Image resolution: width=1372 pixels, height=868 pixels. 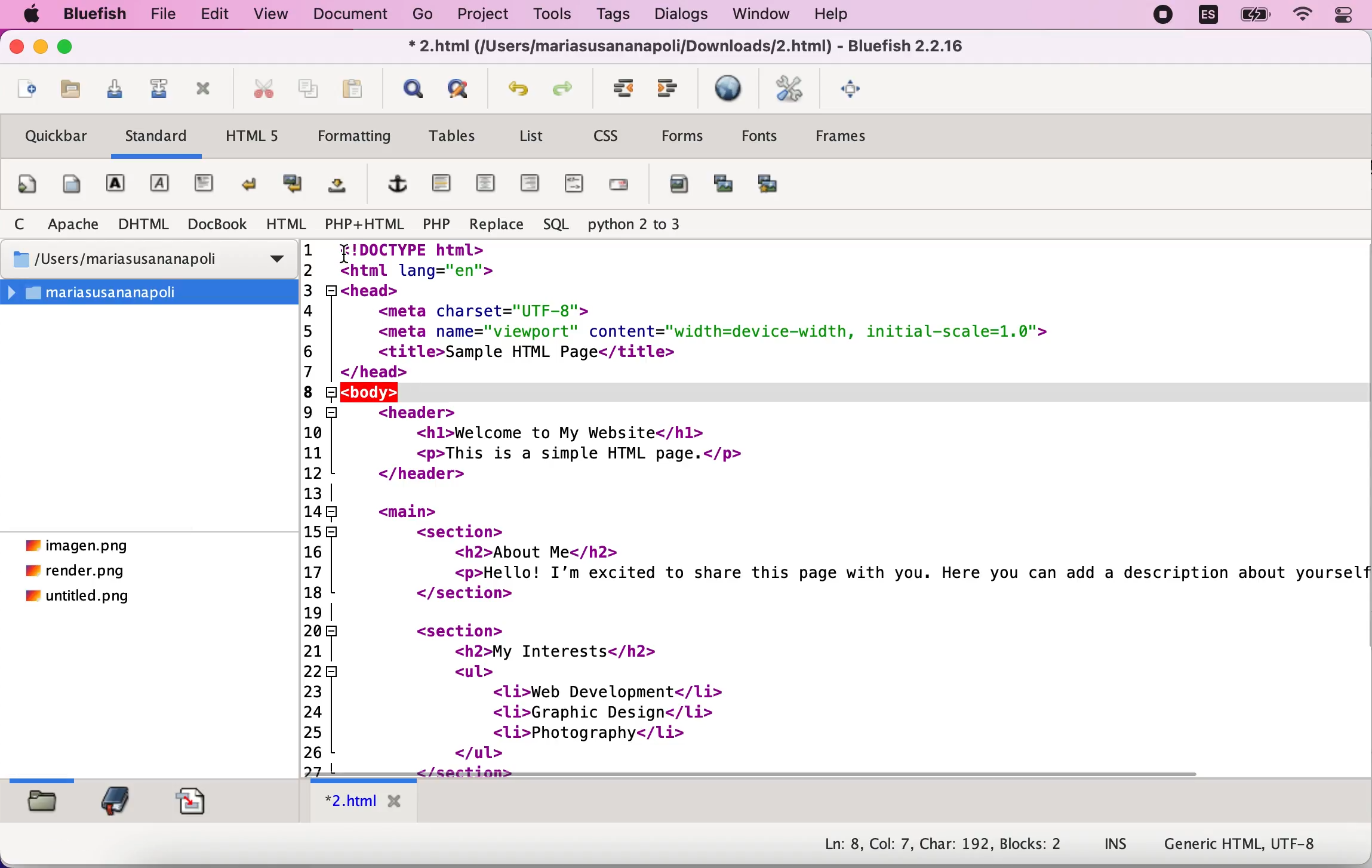 I want to click on go, so click(x=426, y=13).